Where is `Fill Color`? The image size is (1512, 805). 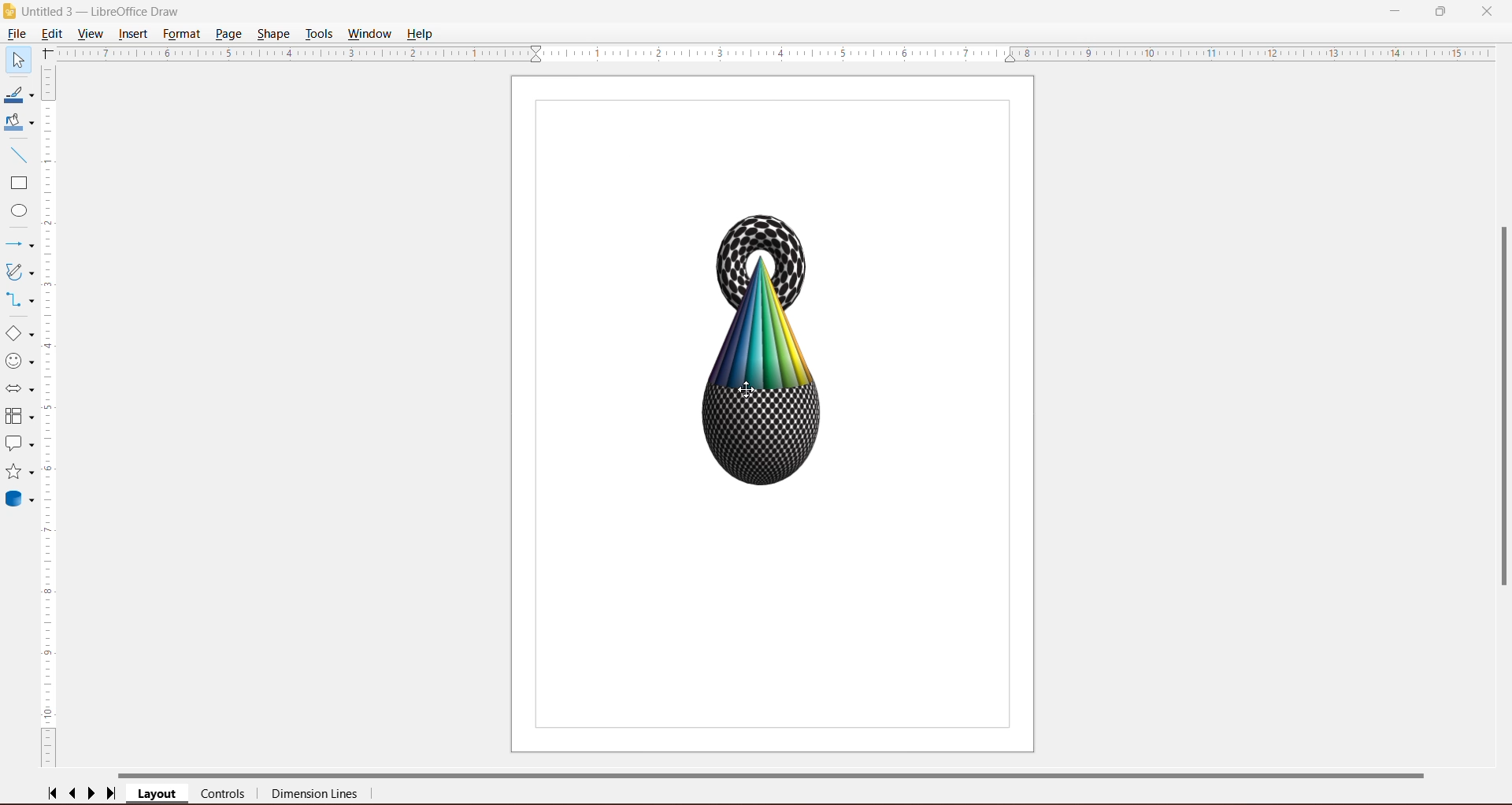 Fill Color is located at coordinates (18, 124).